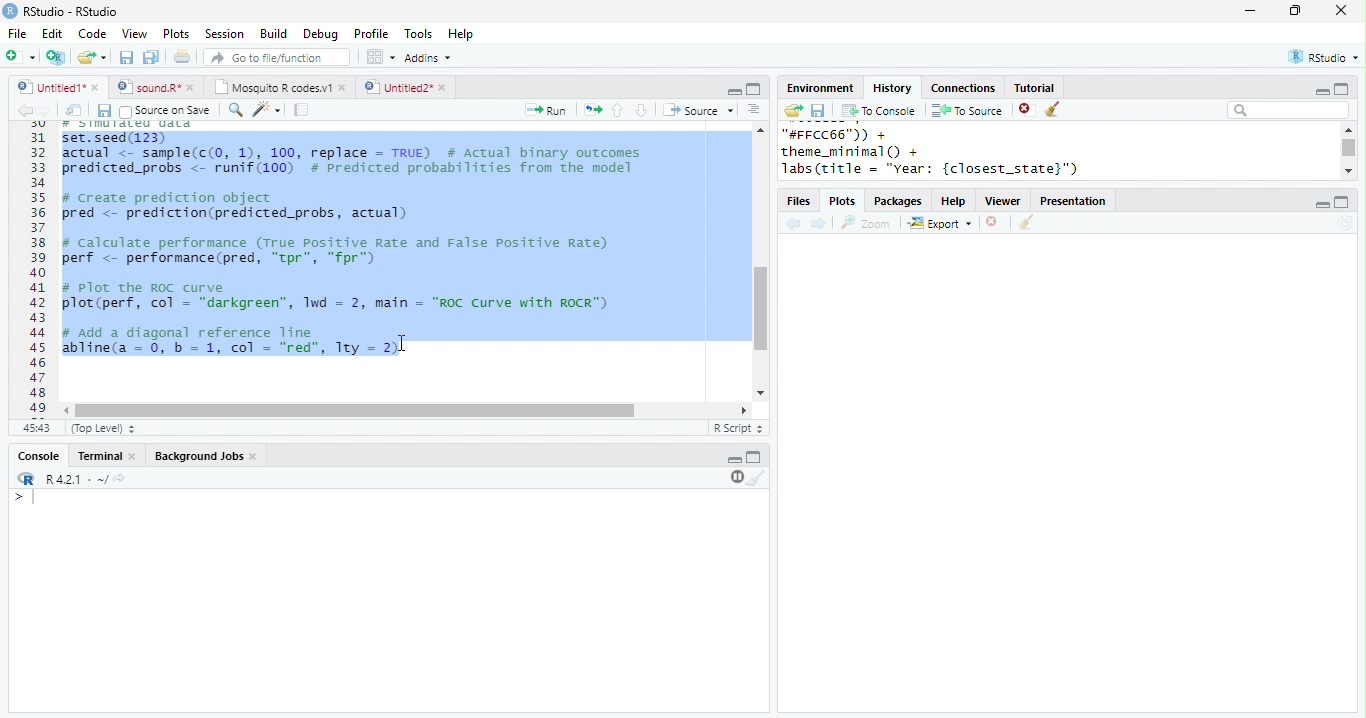  What do you see at coordinates (1347, 129) in the screenshot?
I see `scroll up` at bounding box center [1347, 129].